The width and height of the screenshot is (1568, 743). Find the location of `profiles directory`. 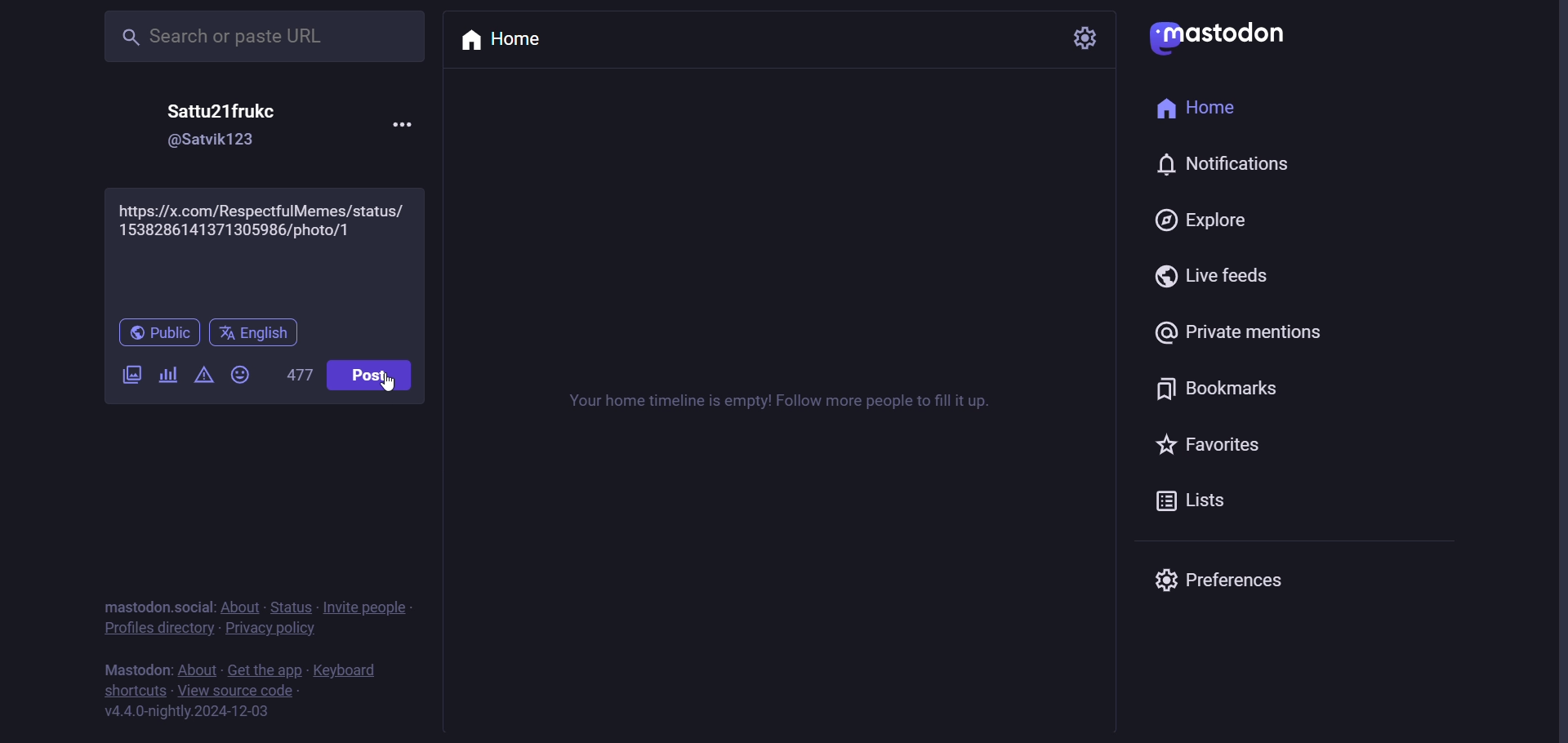

profiles directory is located at coordinates (156, 631).